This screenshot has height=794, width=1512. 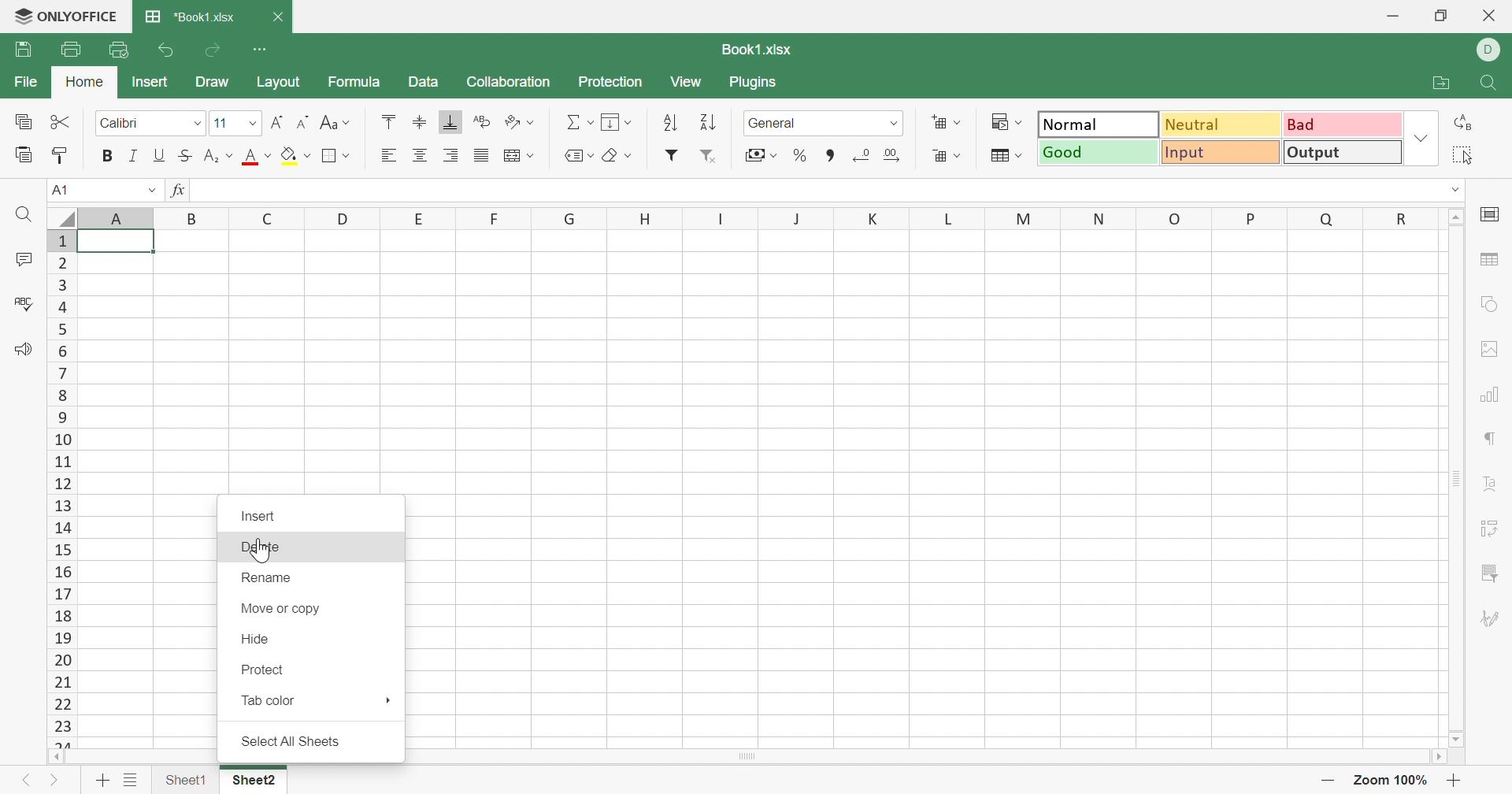 I want to click on table settings, so click(x=1493, y=262).